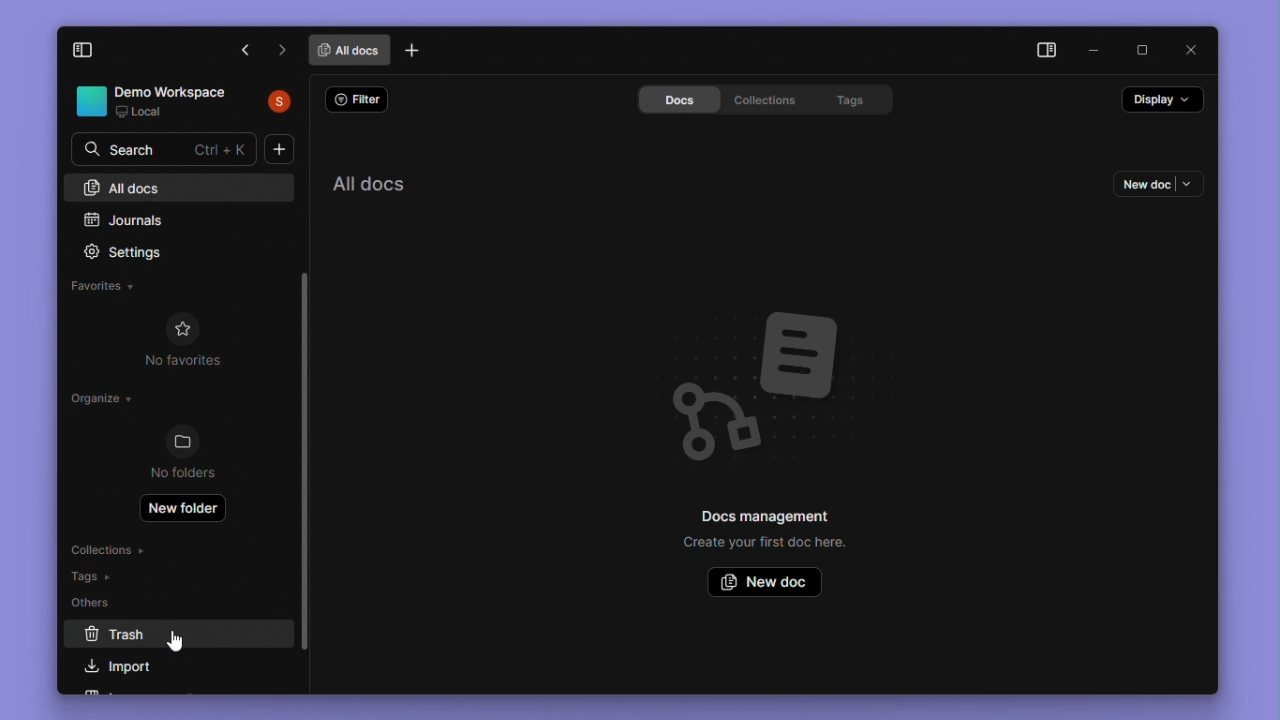 This screenshot has height=720, width=1280. Describe the element at coordinates (184, 509) in the screenshot. I see `New folder` at that location.